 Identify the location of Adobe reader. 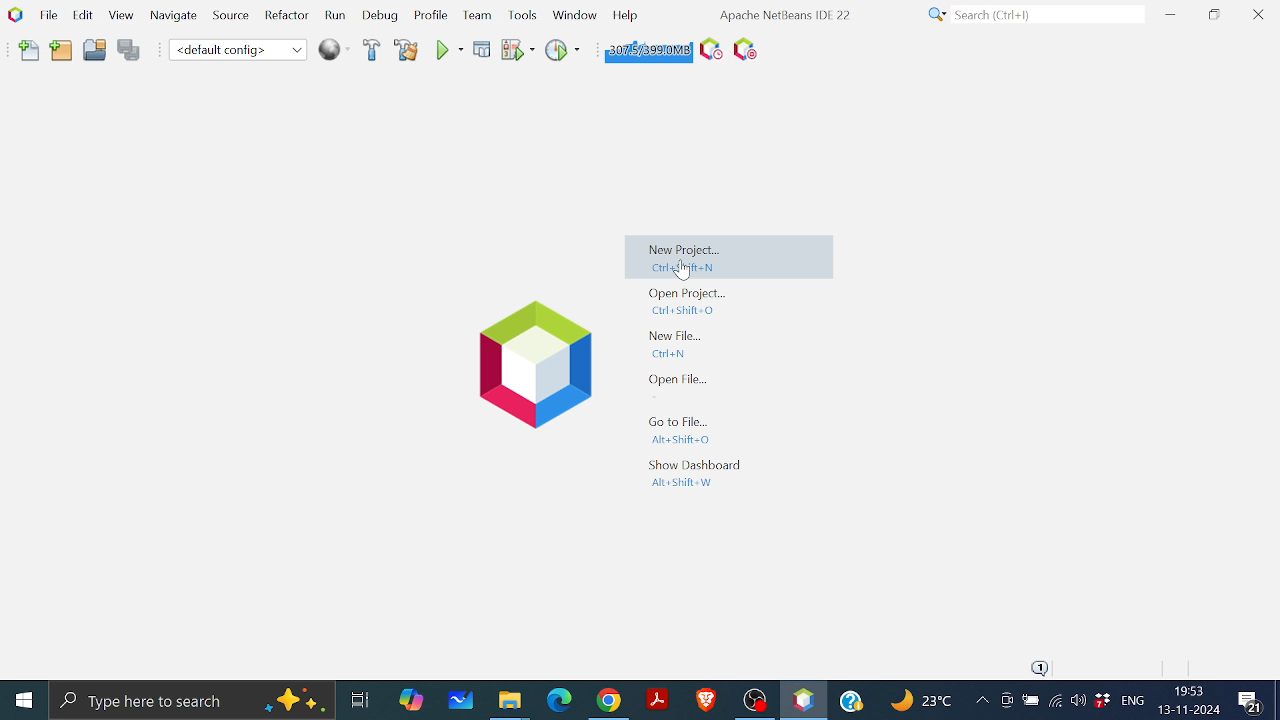
(657, 699).